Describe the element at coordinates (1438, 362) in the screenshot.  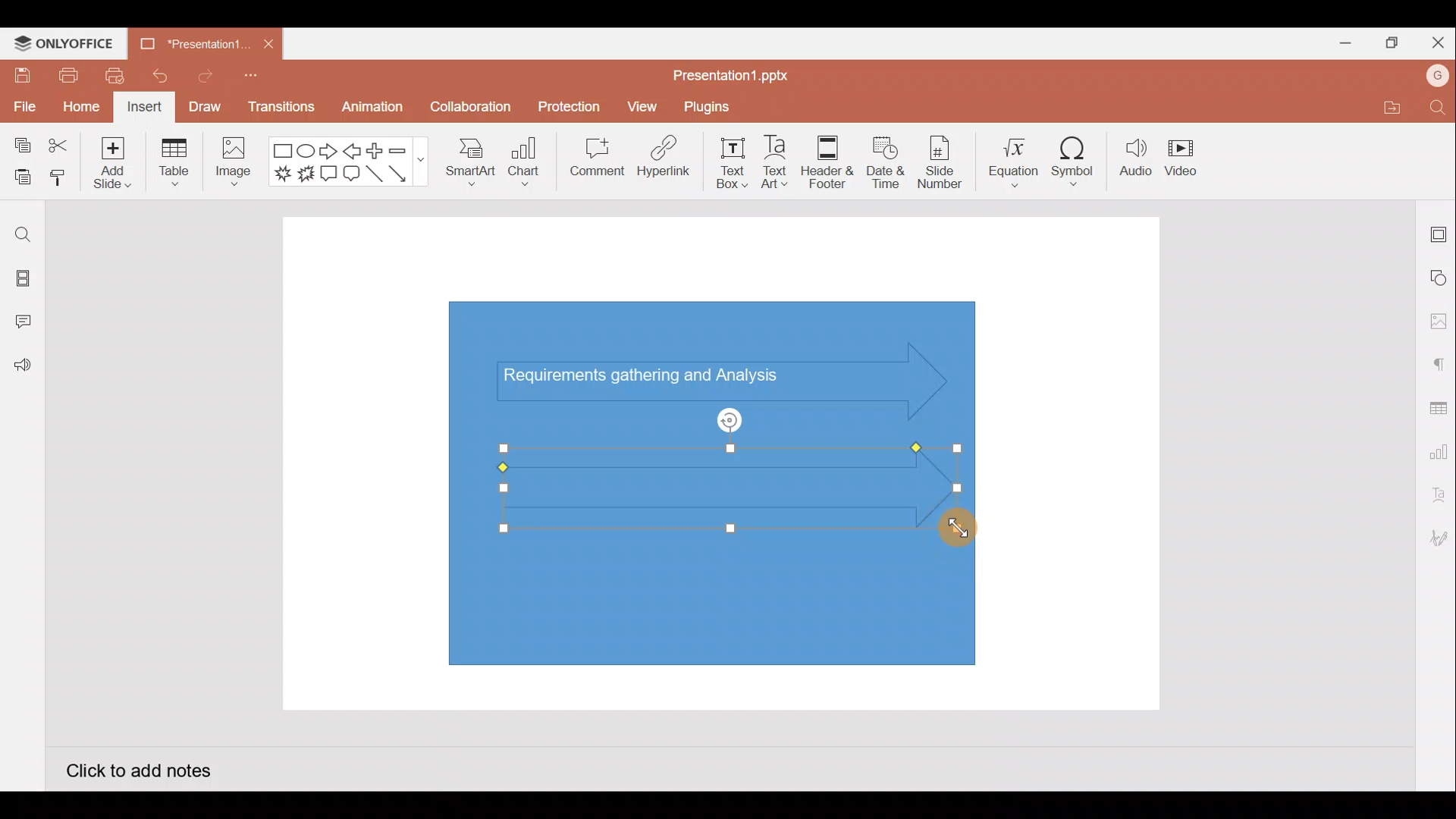
I see `Paragraph settings` at that location.